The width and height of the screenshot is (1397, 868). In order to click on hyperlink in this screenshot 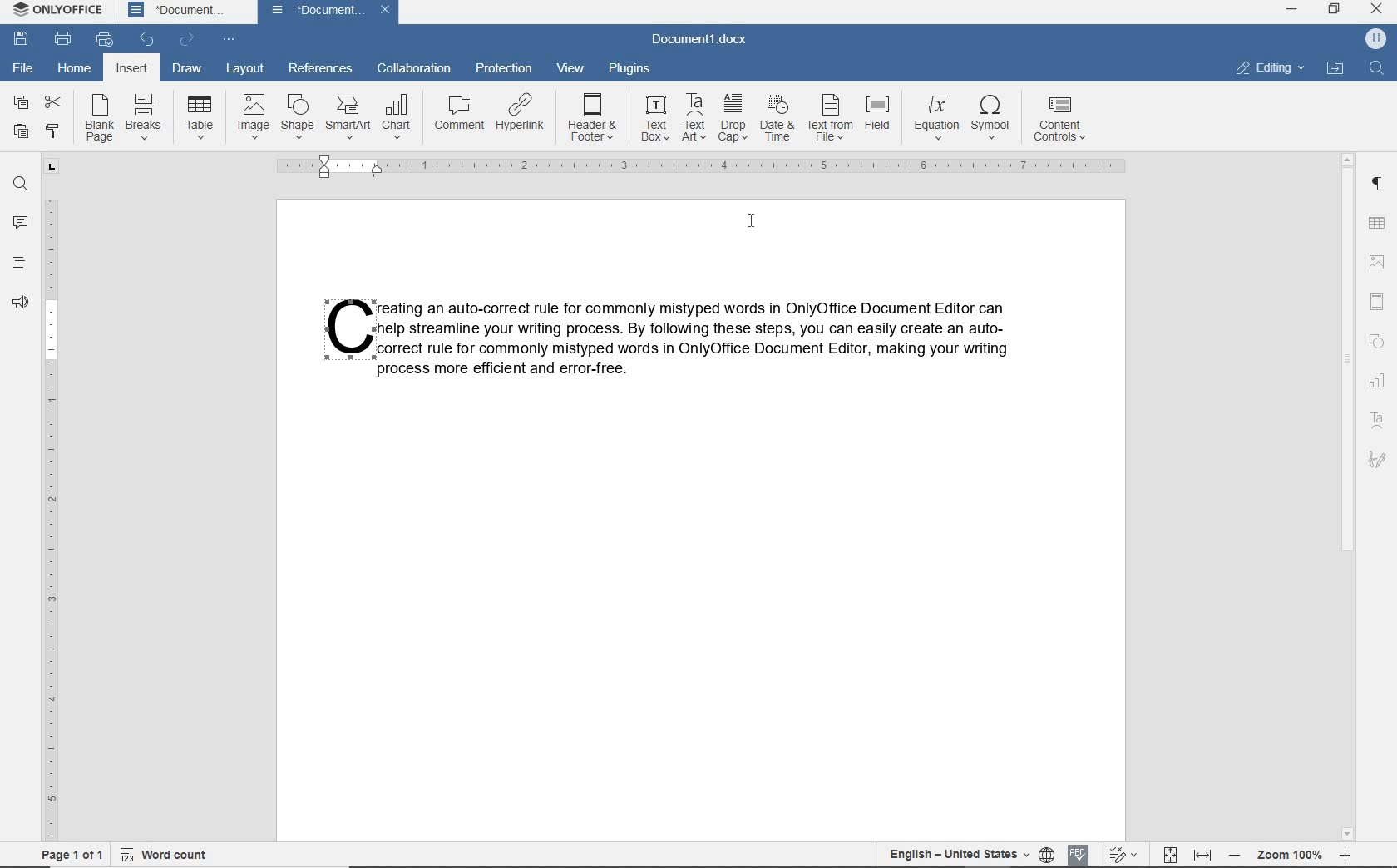, I will do `click(525, 118)`.